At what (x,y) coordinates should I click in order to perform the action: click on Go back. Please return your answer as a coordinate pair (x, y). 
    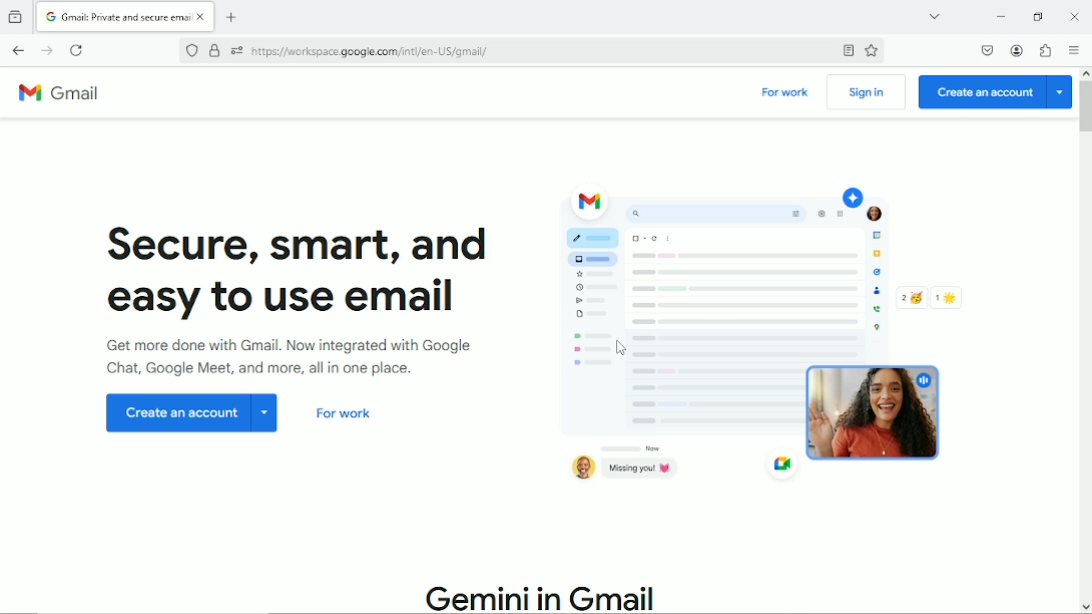
    Looking at the image, I should click on (18, 50).